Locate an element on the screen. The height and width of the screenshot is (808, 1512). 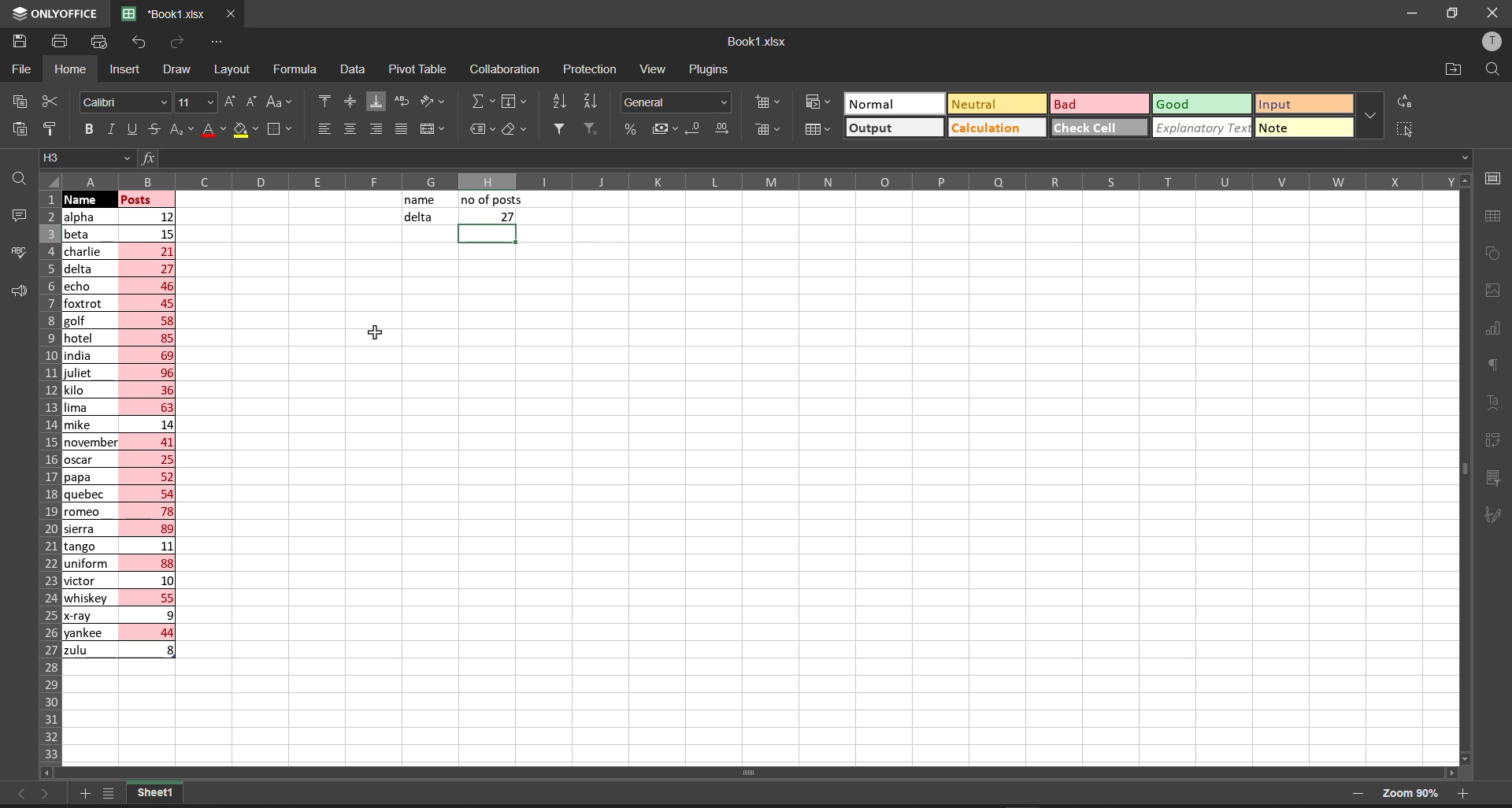
chart settings is located at coordinates (1499, 329).